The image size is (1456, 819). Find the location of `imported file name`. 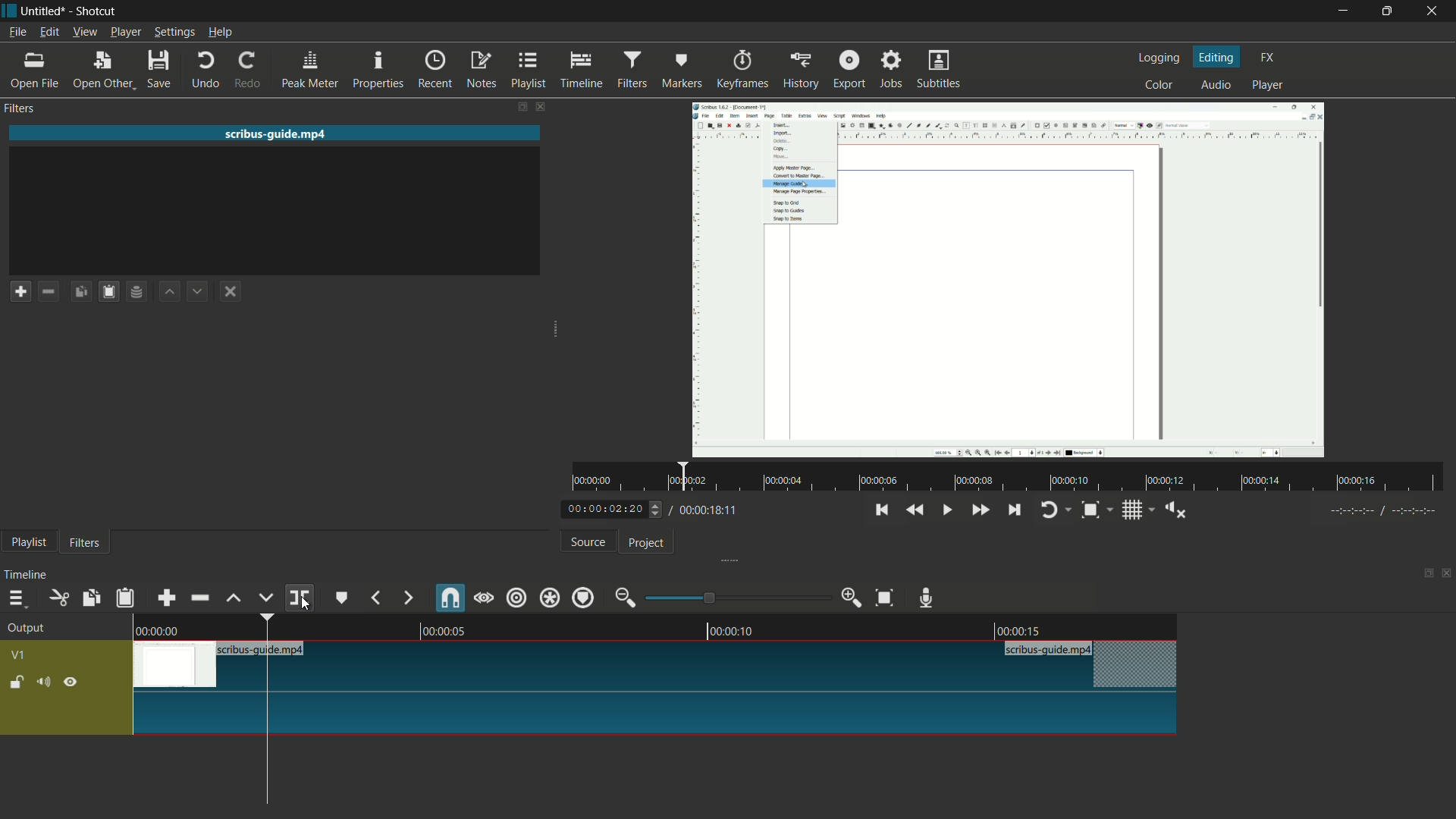

imported file name is located at coordinates (276, 133).